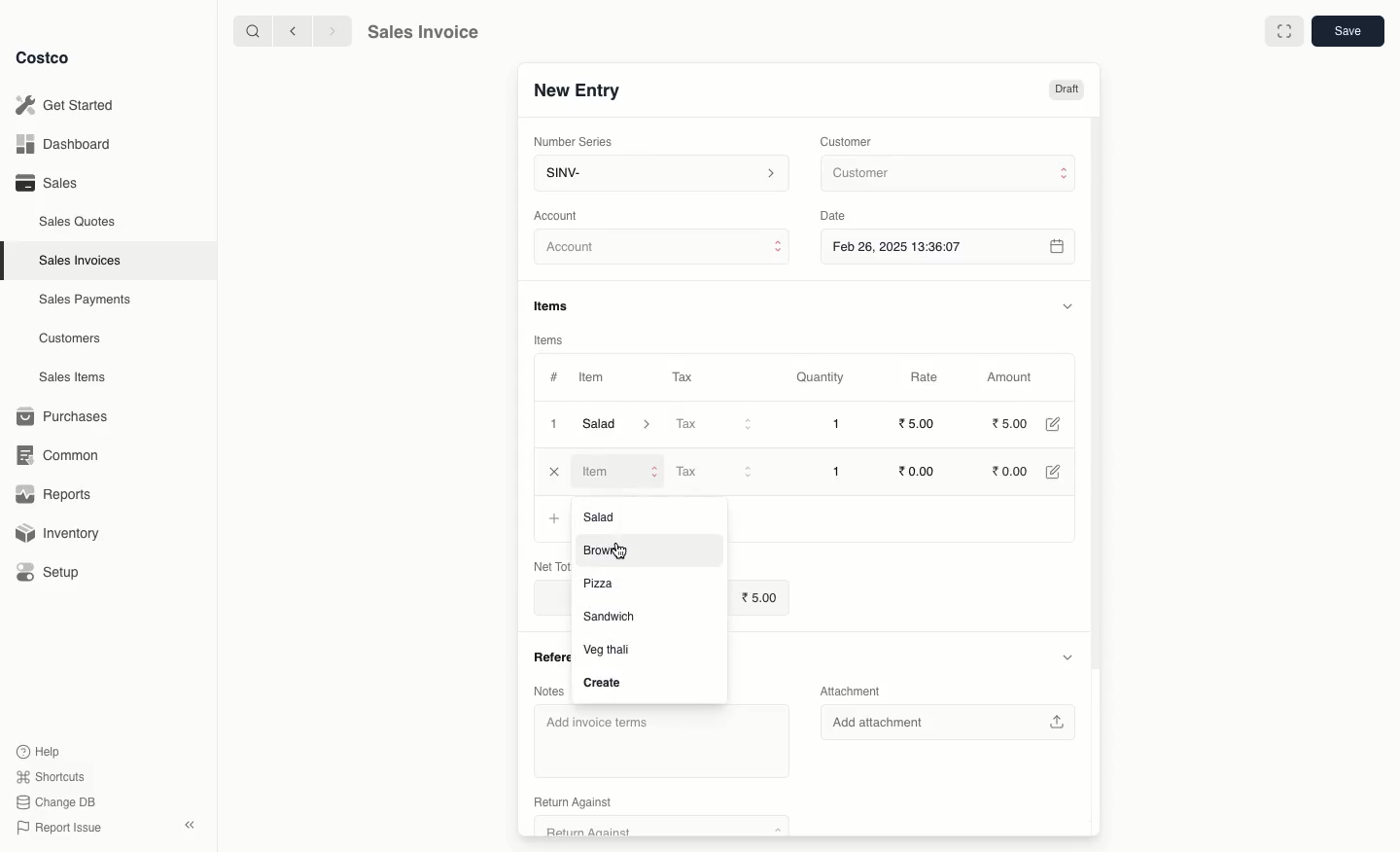  Describe the element at coordinates (423, 34) in the screenshot. I see `Sales Invoice` at that location.